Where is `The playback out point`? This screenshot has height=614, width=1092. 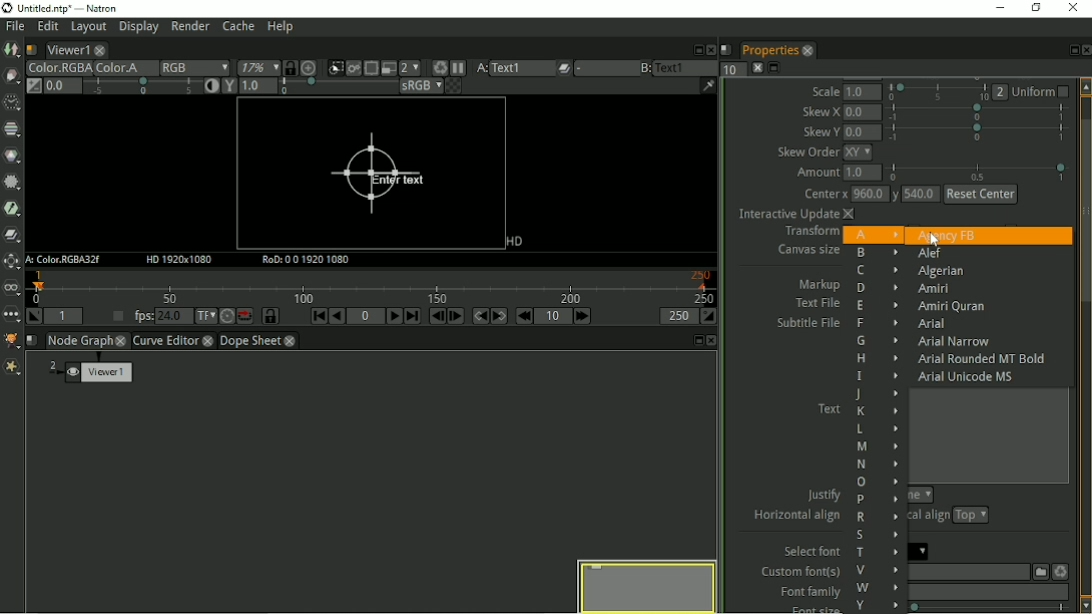 The playback out point is located at coordinates (678, 316).